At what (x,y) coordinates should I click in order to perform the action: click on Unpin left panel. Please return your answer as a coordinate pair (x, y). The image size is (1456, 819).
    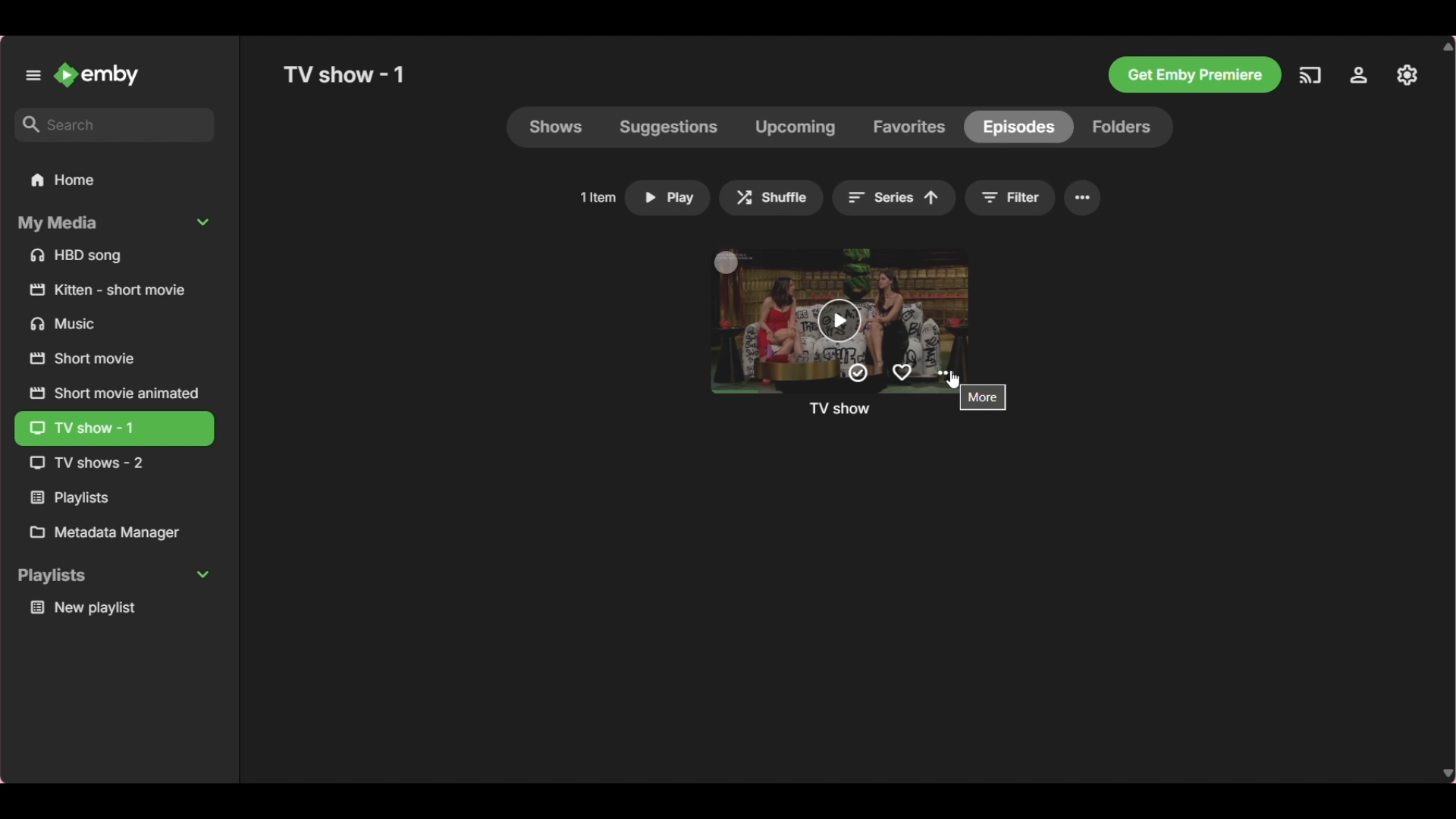
    Looking at the image, I should click on (33, 75).